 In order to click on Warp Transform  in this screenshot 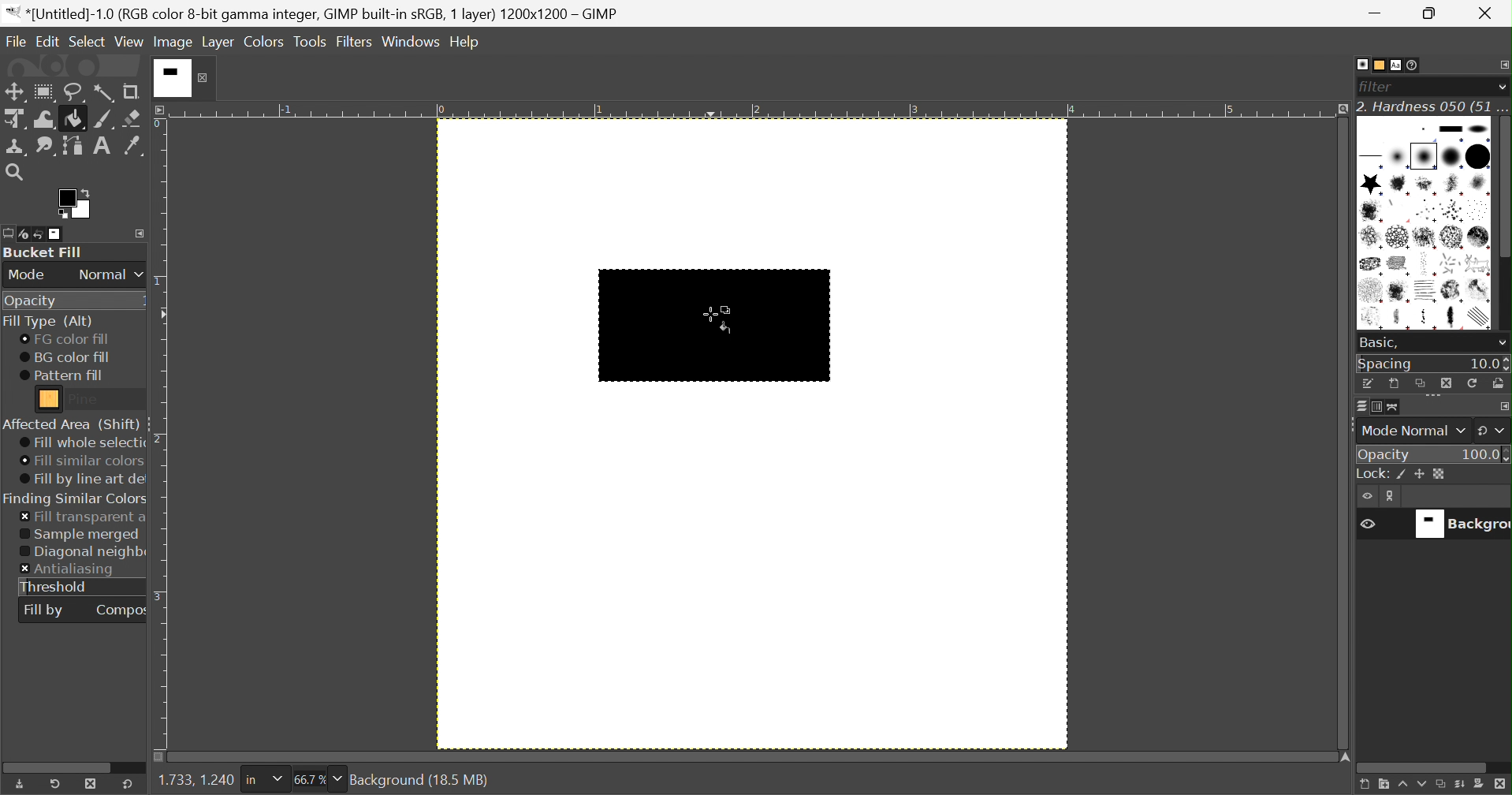, I will do `click(45, 119)`.